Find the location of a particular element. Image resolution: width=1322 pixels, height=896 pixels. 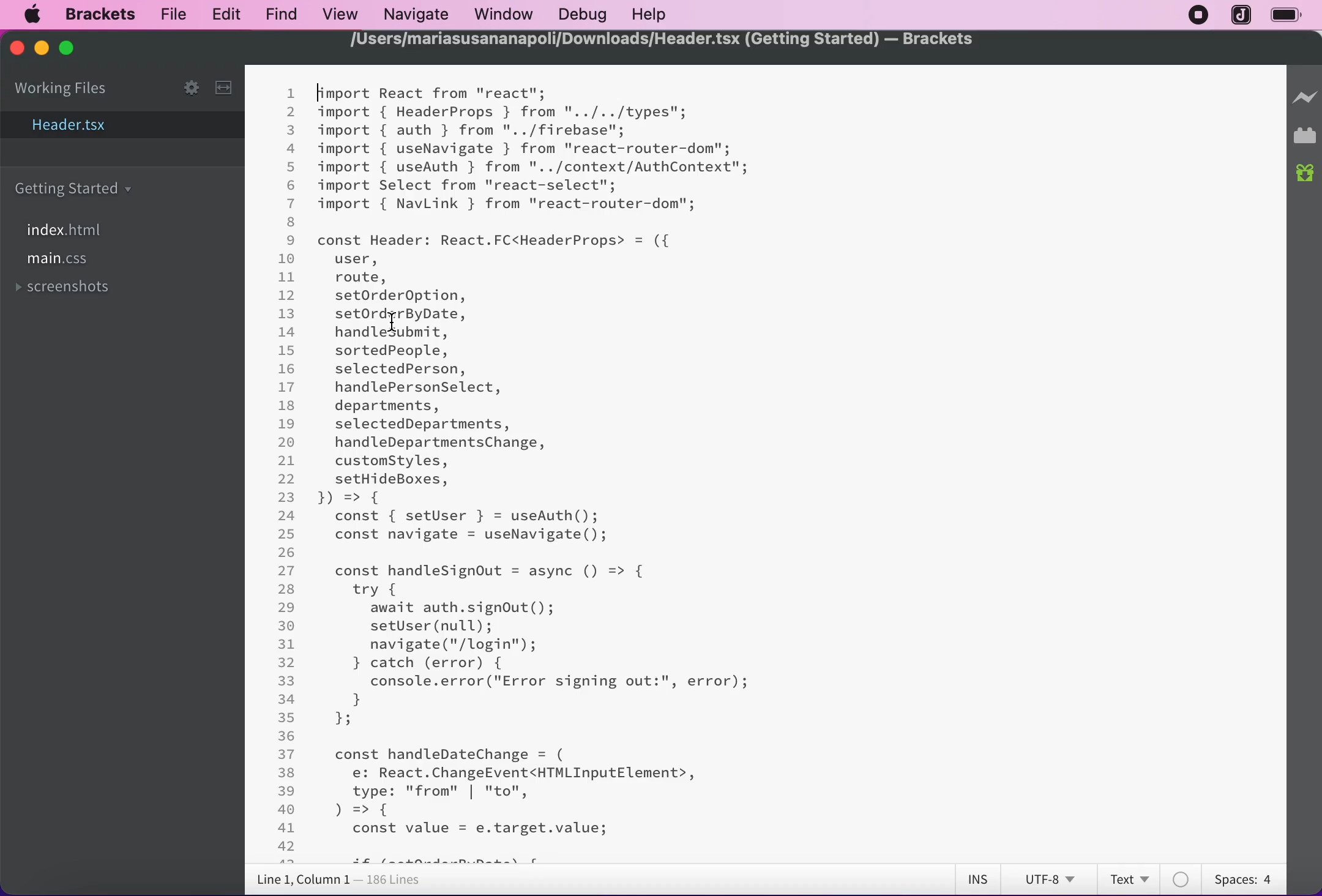

40 is located at coordinates (286, 810).